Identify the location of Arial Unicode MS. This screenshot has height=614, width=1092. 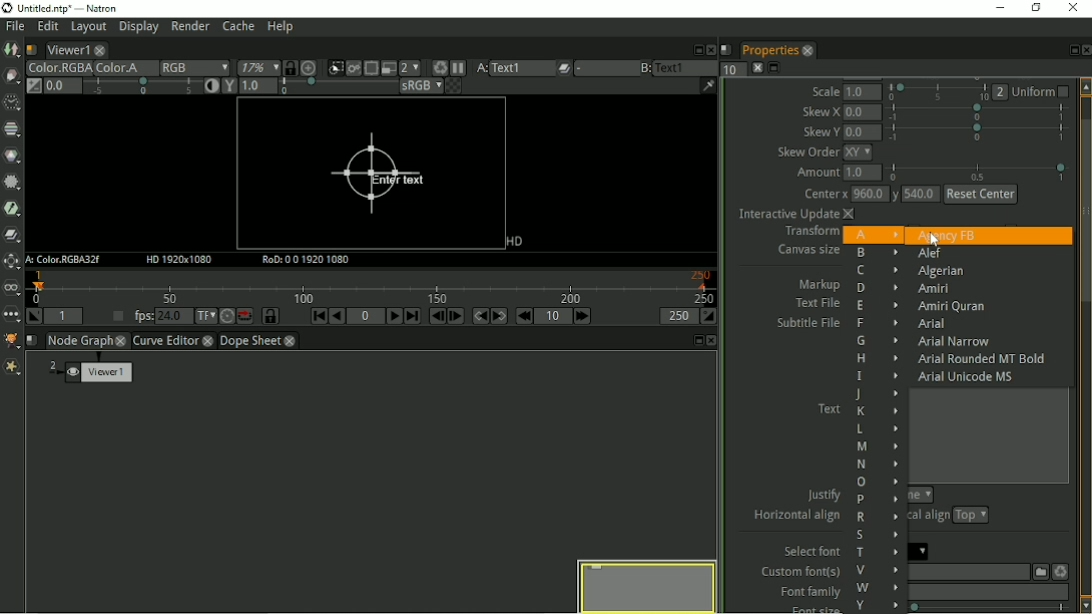
(969, 376).